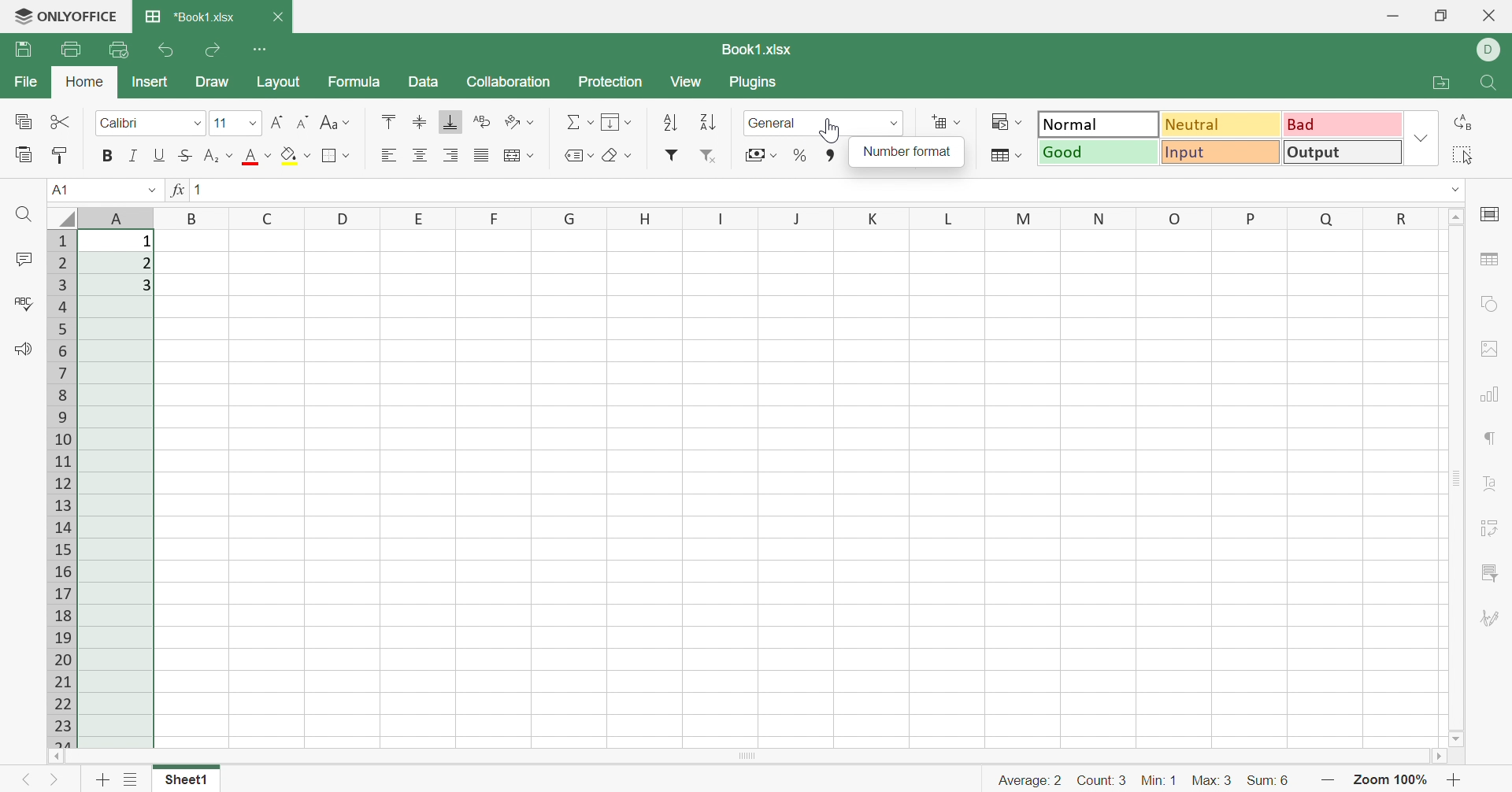  I want to click on Add sheet, so click(102, 779).